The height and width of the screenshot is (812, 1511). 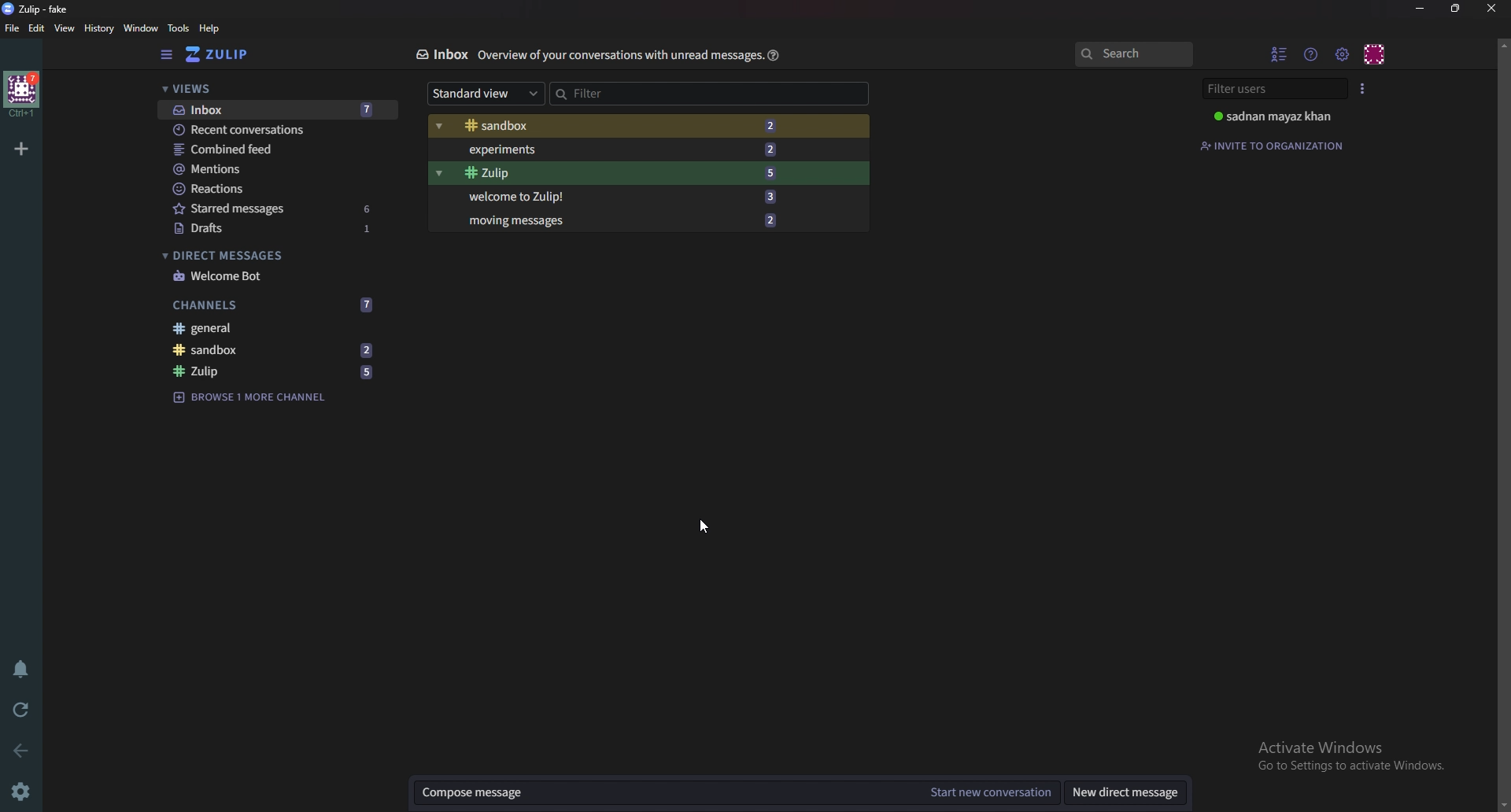 I want to click on Zulip, so click(x=272, y=372).